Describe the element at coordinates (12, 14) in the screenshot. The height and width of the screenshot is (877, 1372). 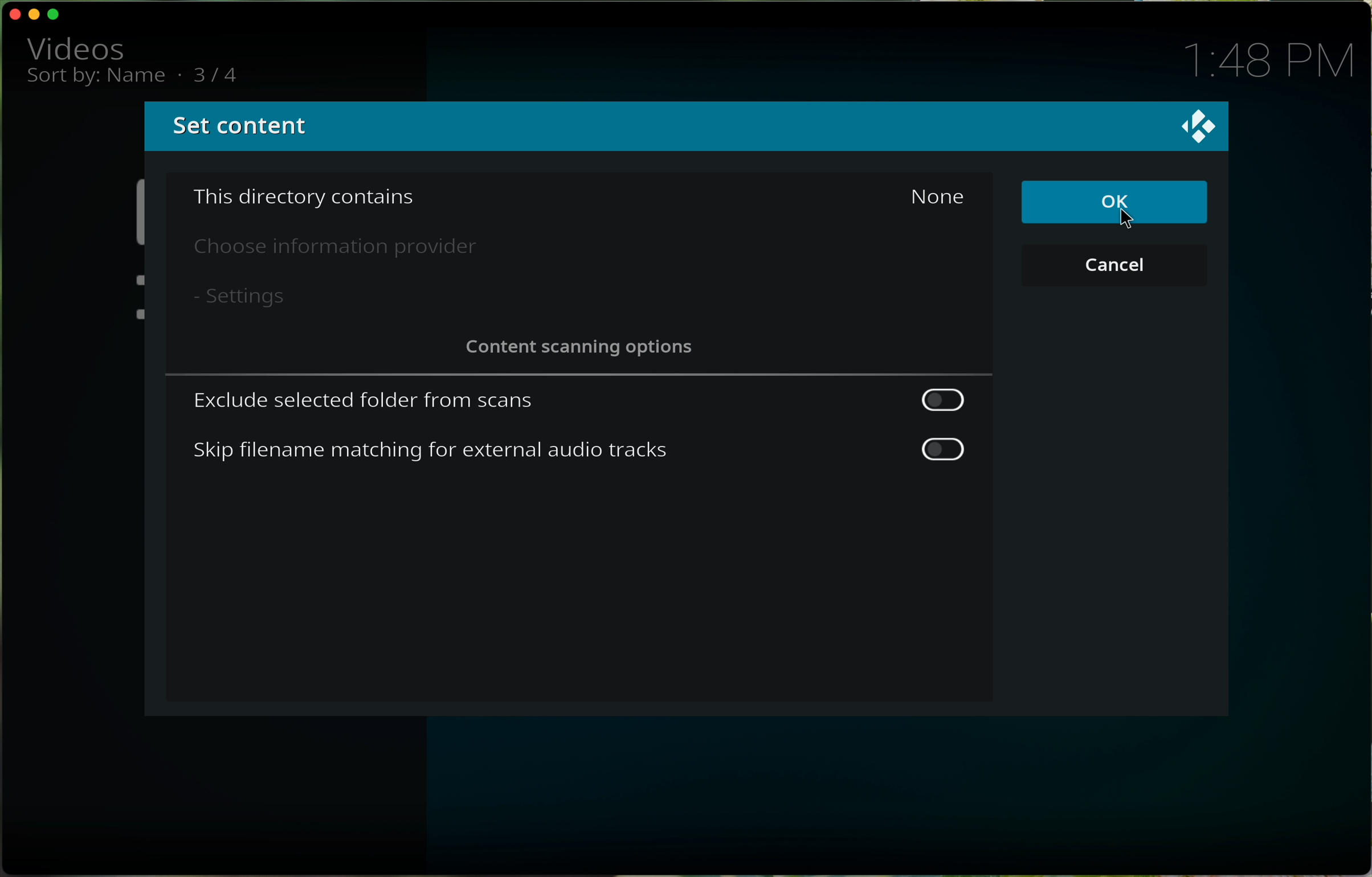
I see `close` at that location.